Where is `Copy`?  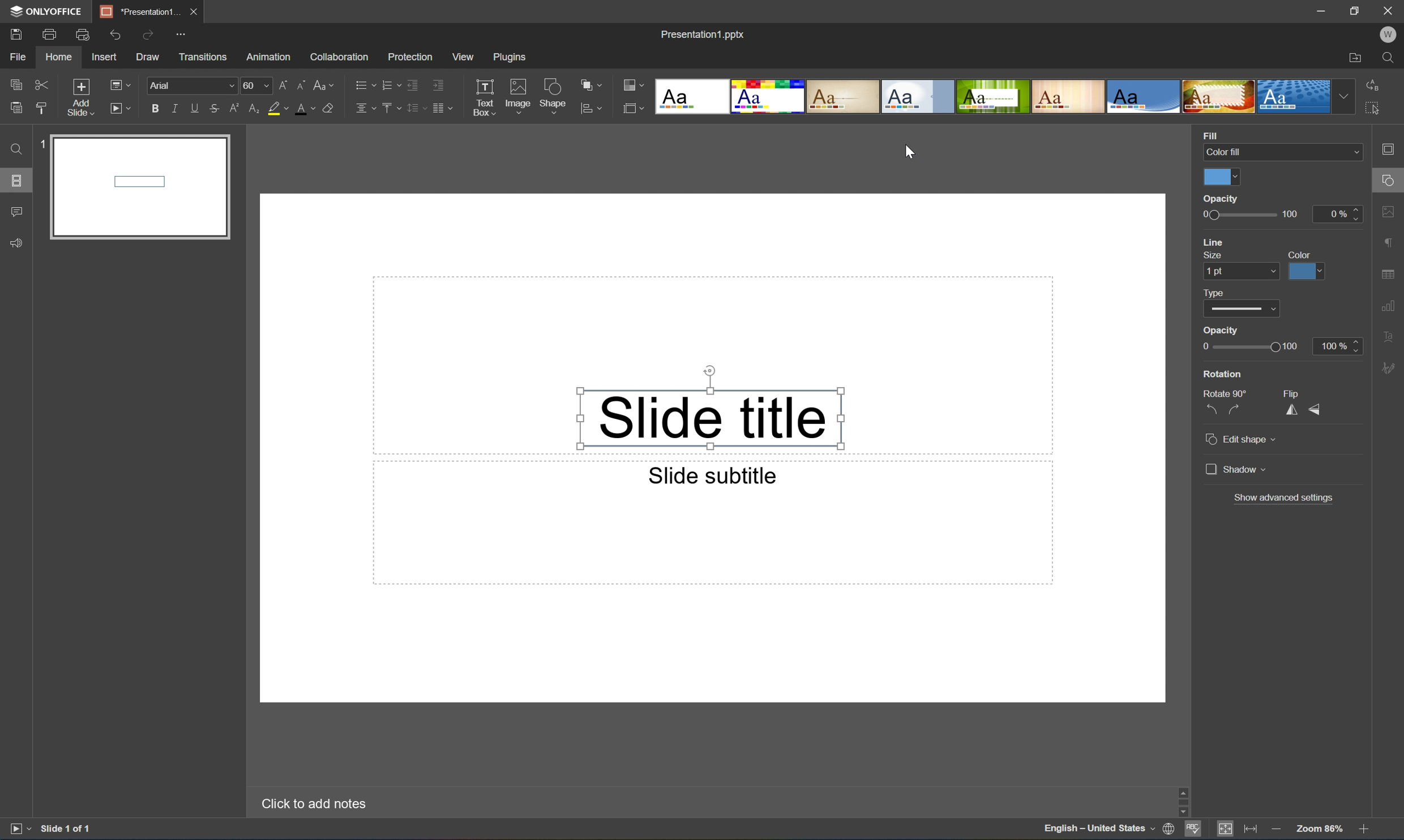
Copy is located at coordinates (17, 82).